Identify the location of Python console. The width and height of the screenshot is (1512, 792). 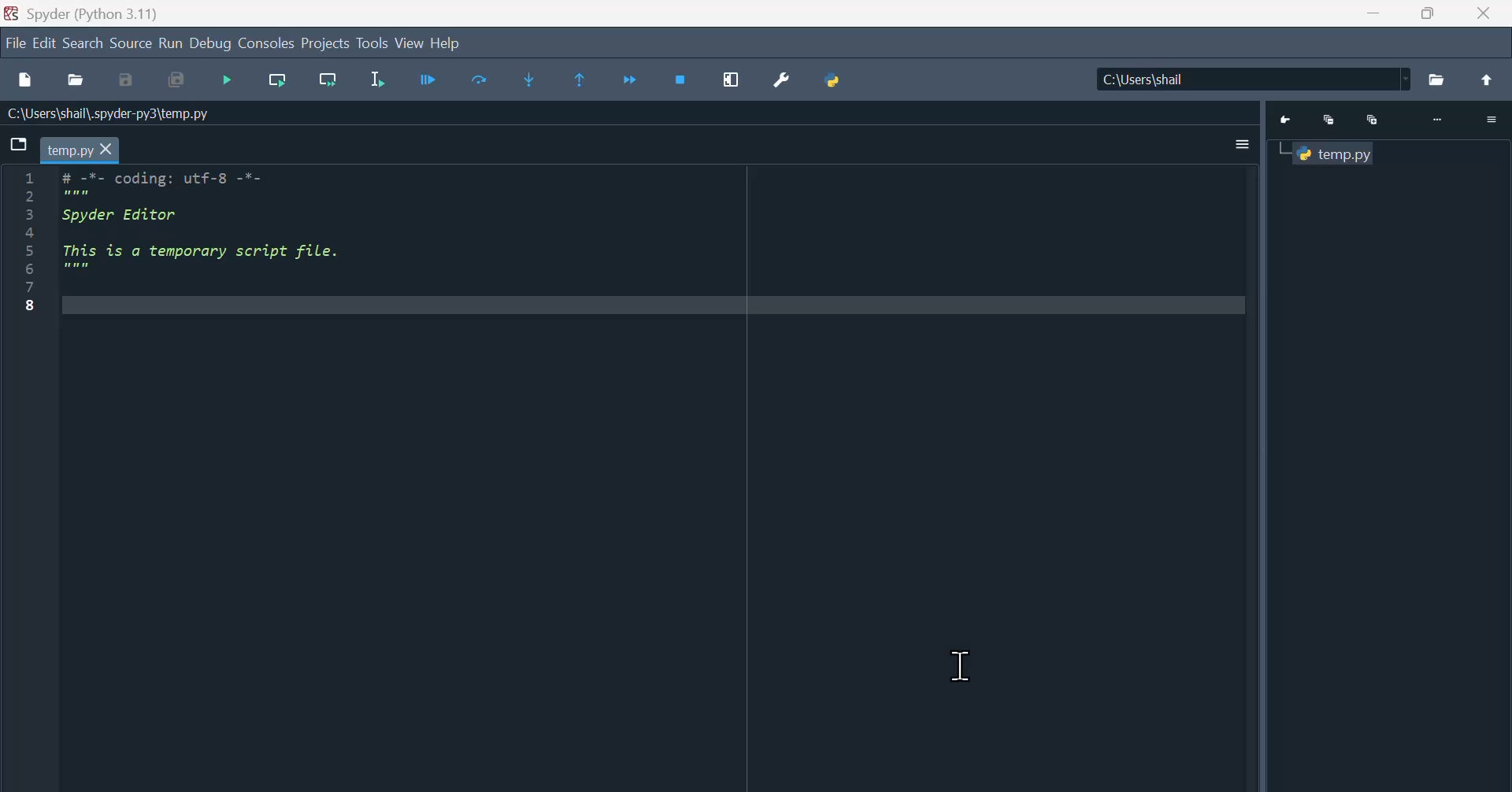
(1334, 154).